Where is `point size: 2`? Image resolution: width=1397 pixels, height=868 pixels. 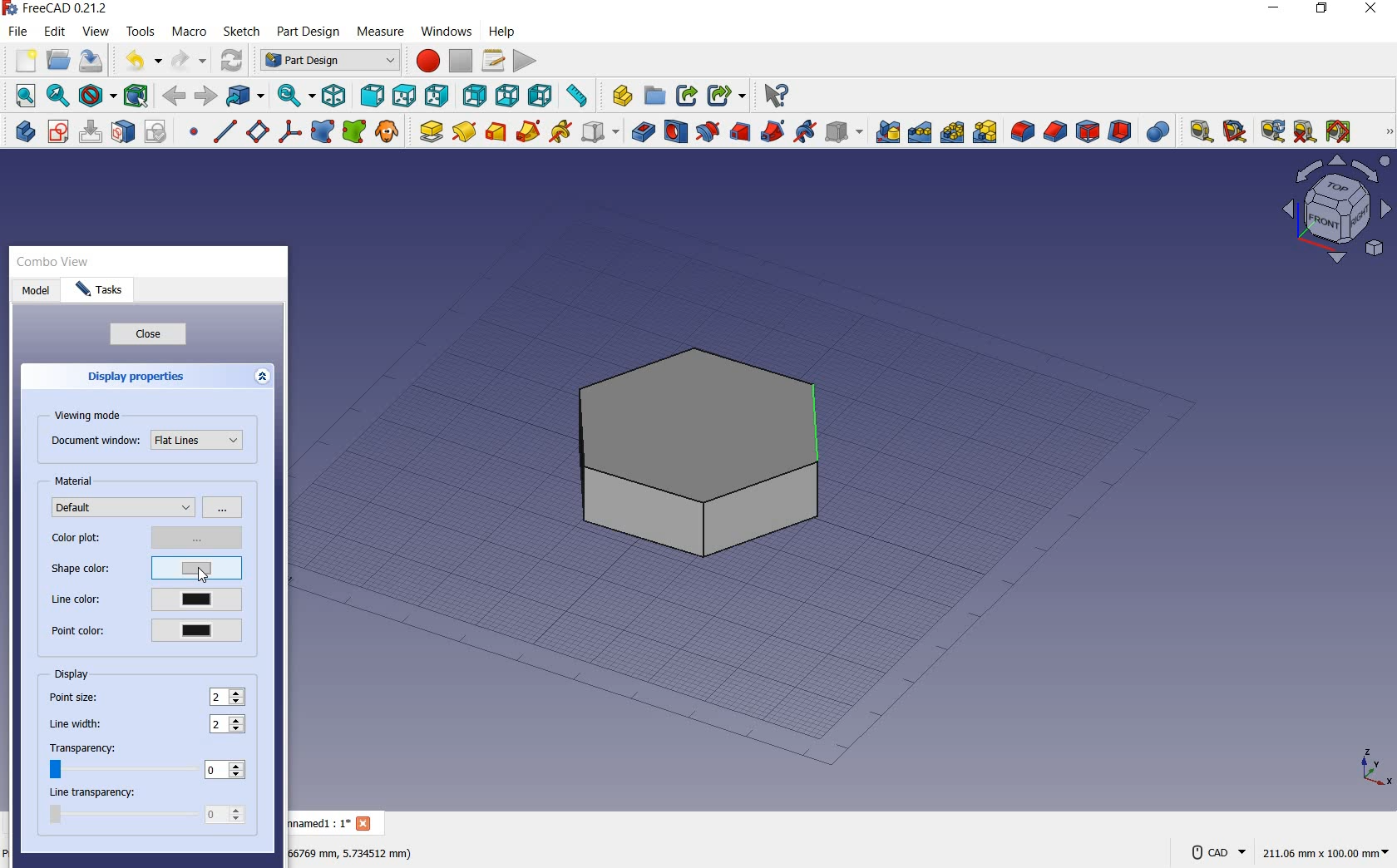 point size: 2 is located at coordinates (225, 696).